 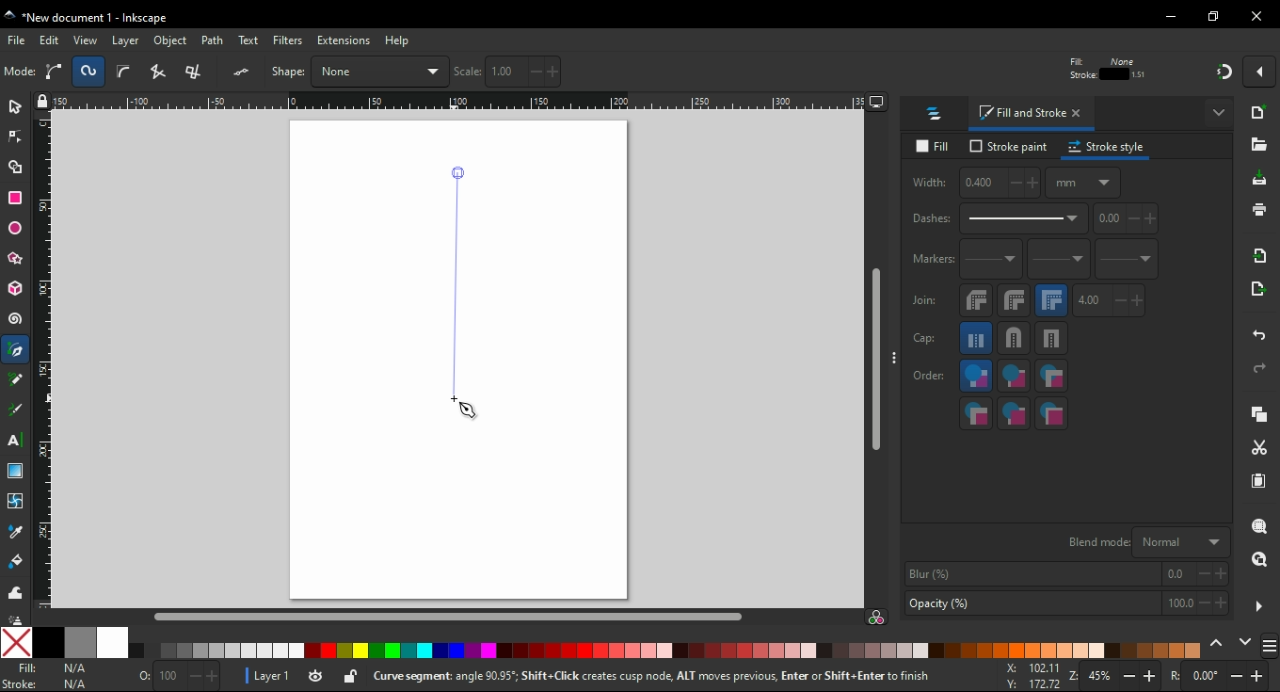 I want to click on dropper tool, so click(x=17, y=532).